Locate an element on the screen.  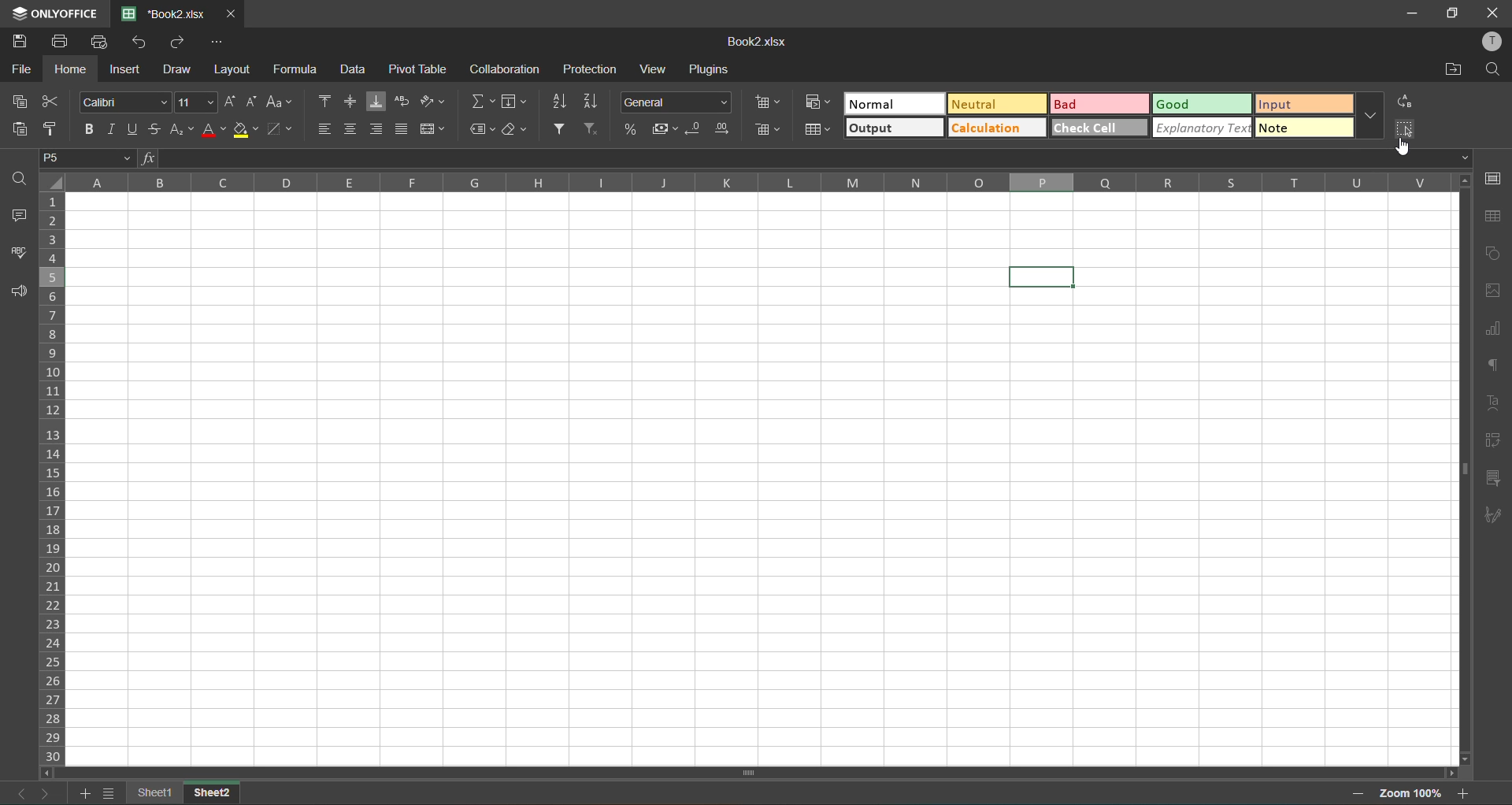
align left is located at coordinates (322, 132).